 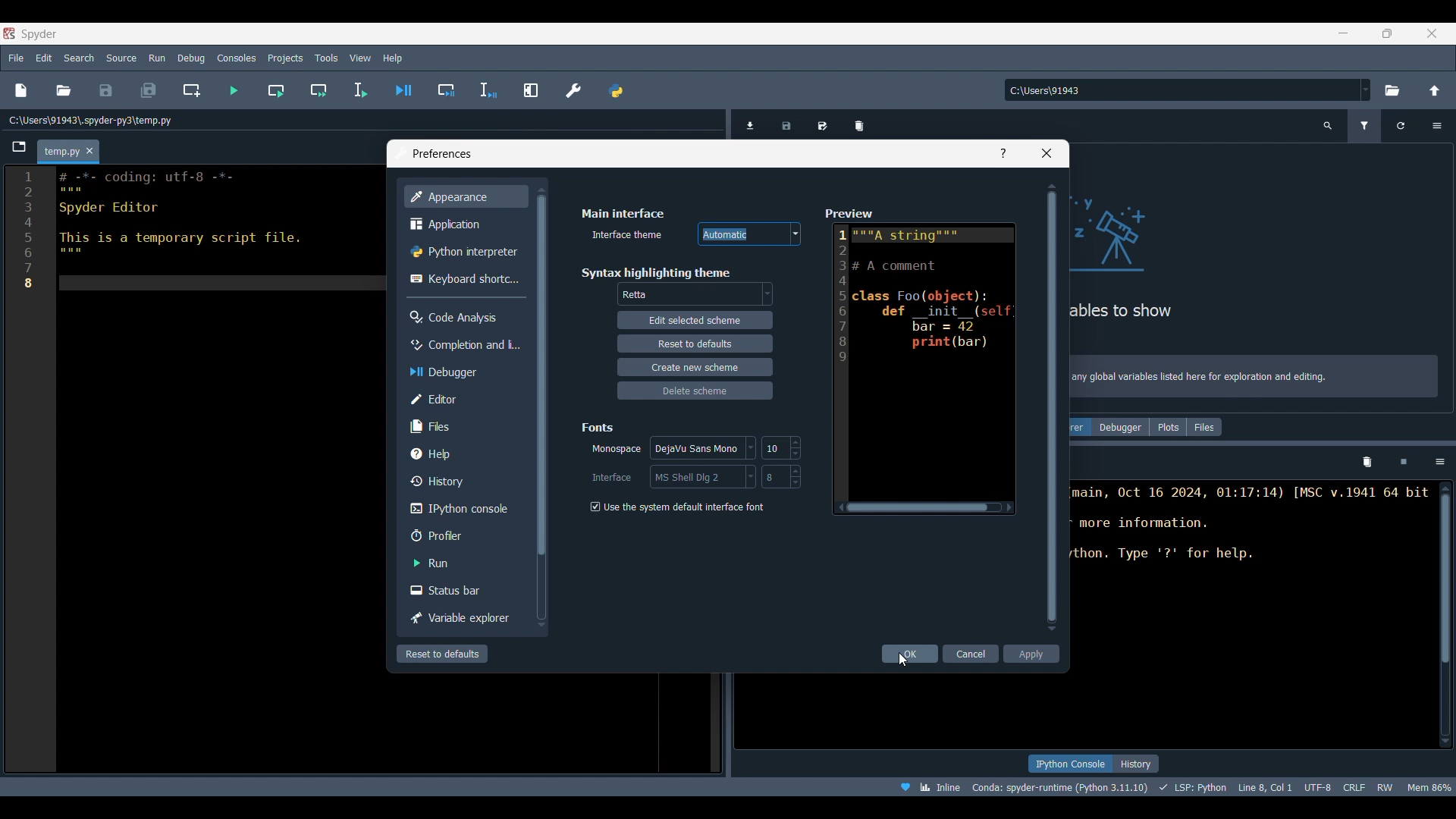 What do you see at coordinates (392, 58) in the screenshot?
I see `Help menu` at bounding box center [392, 58].